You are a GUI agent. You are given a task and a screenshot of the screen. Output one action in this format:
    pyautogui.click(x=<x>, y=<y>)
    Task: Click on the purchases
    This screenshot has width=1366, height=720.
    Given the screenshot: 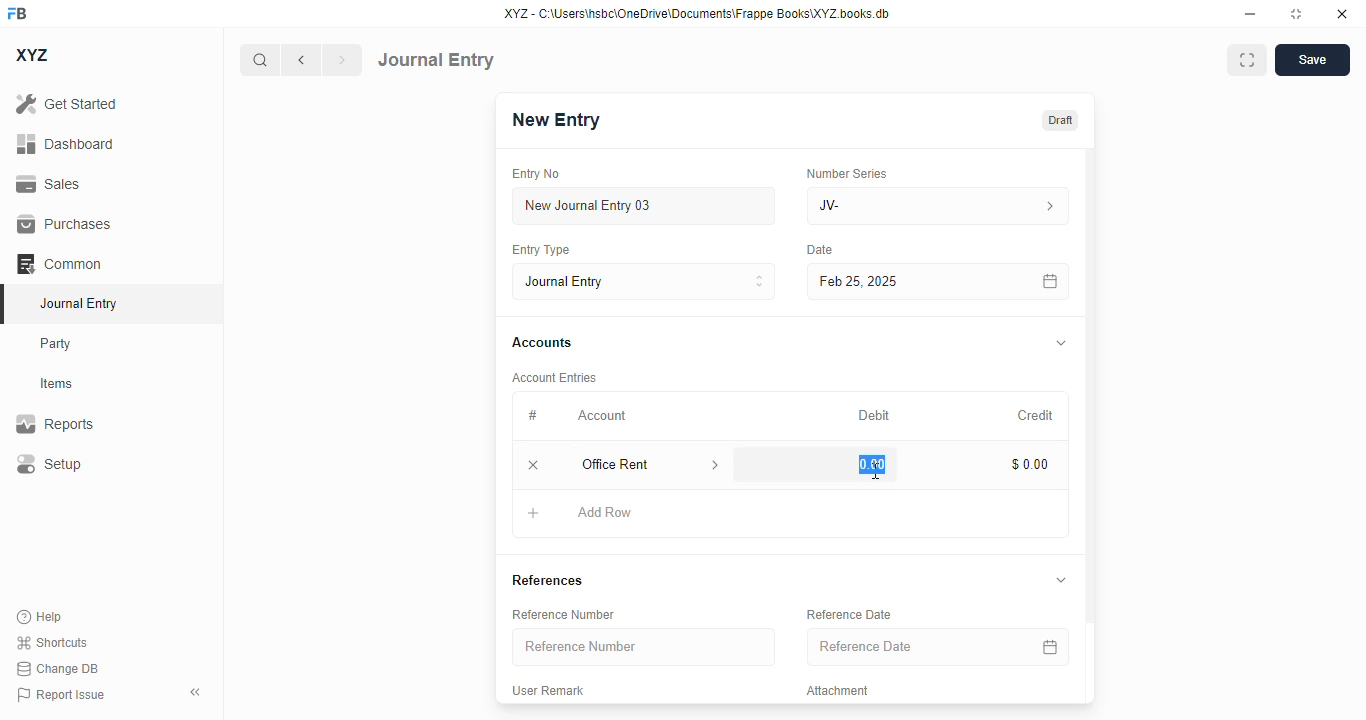 What is the action you would take?
    pyautogui.click(x=65, y=224)
    